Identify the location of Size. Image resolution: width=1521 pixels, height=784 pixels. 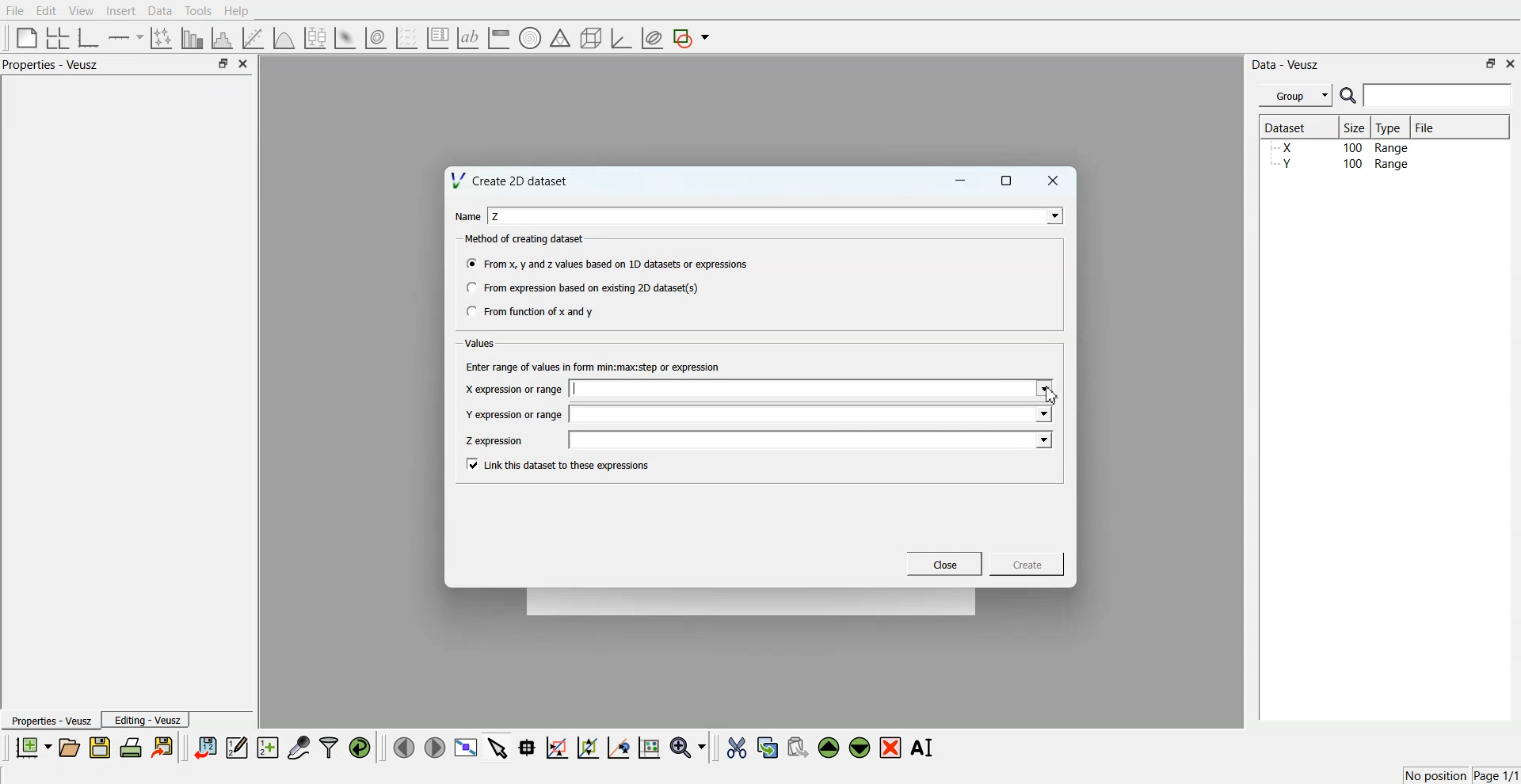
(1355, 127).